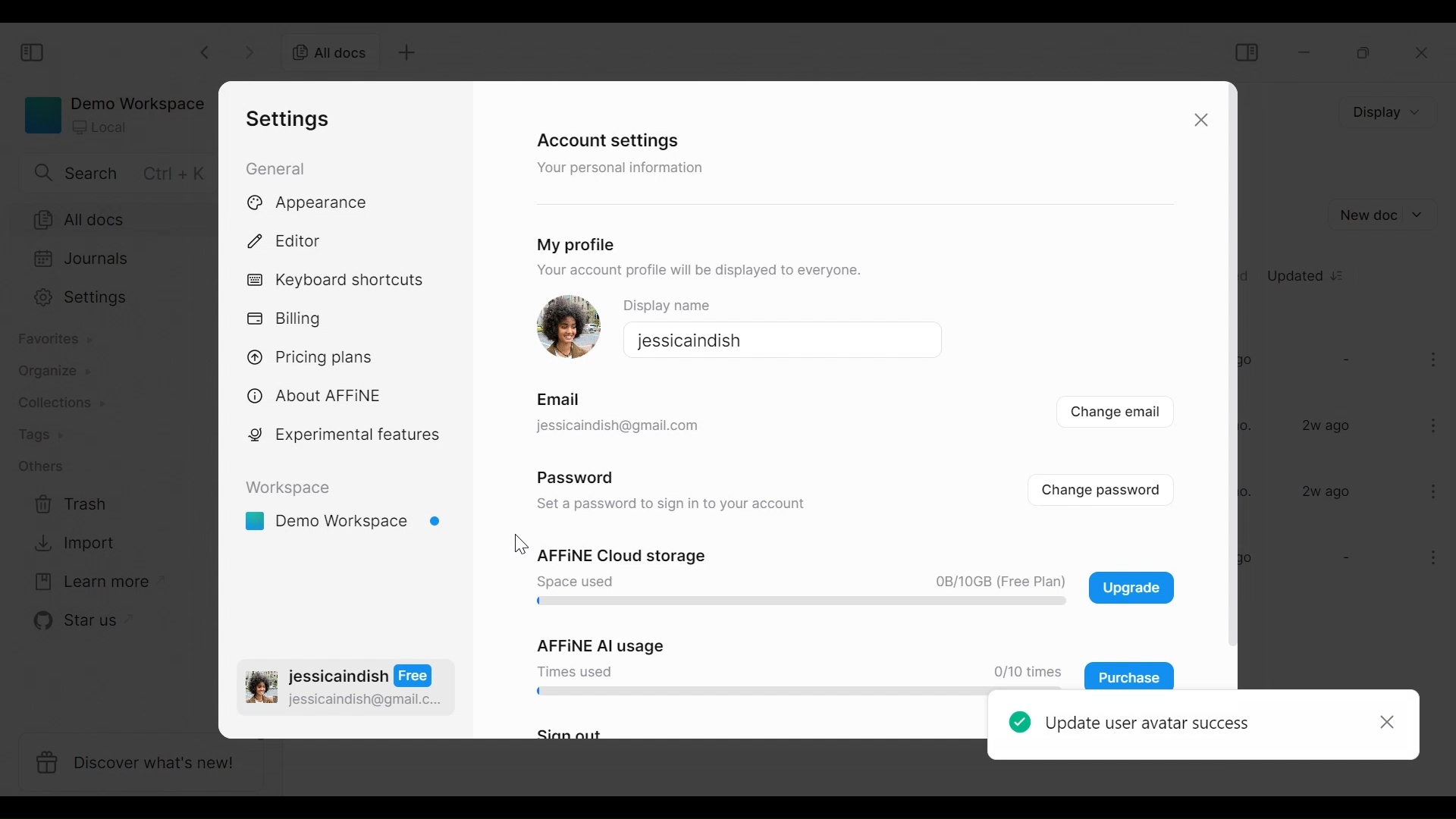  Describe the element at coordinates (691, 270) in the screenshot. I see `Your account profile will be displayed to everyone.` at that location.